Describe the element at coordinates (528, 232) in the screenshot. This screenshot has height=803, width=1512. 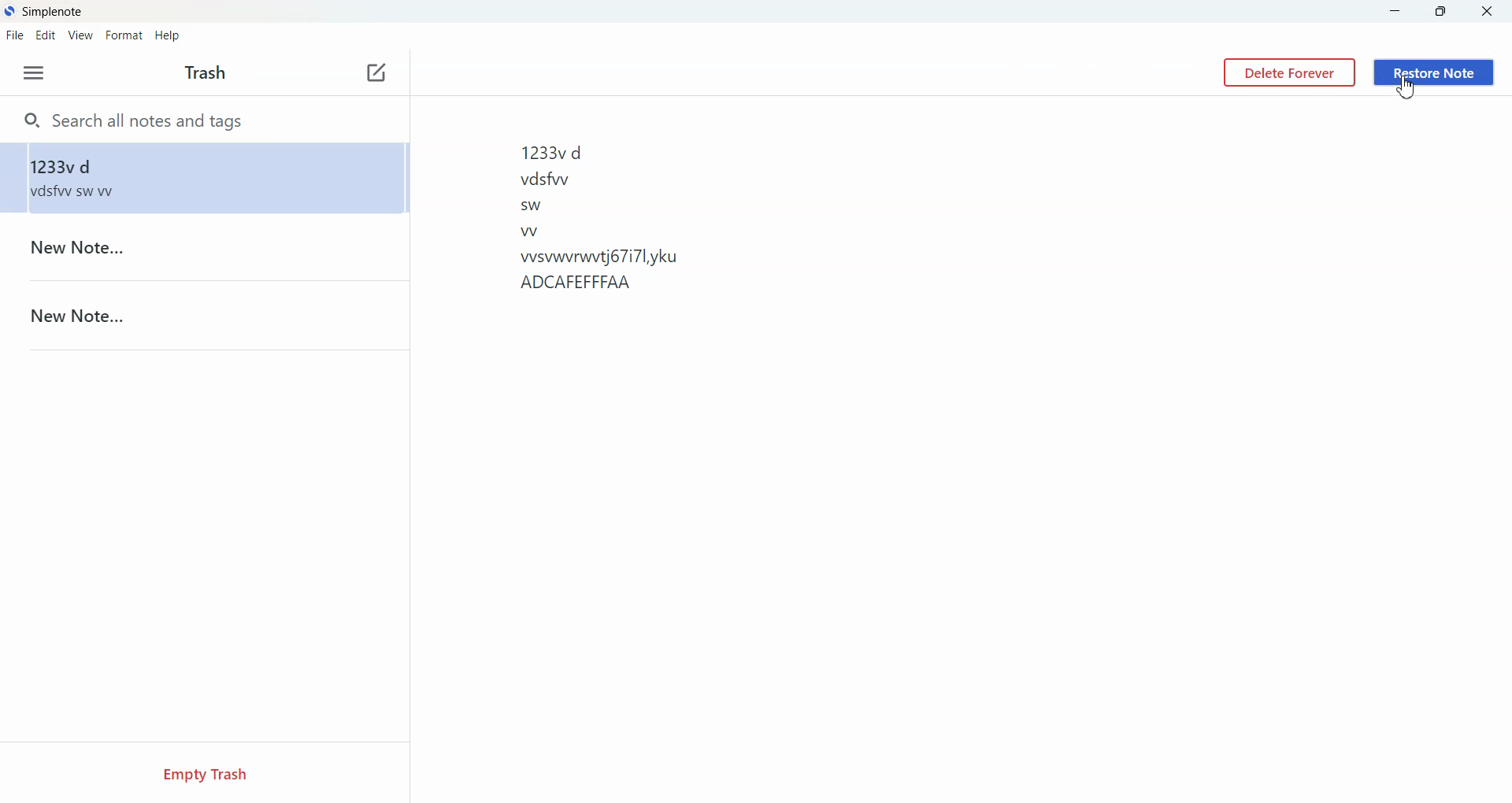
I see `w` at that location.